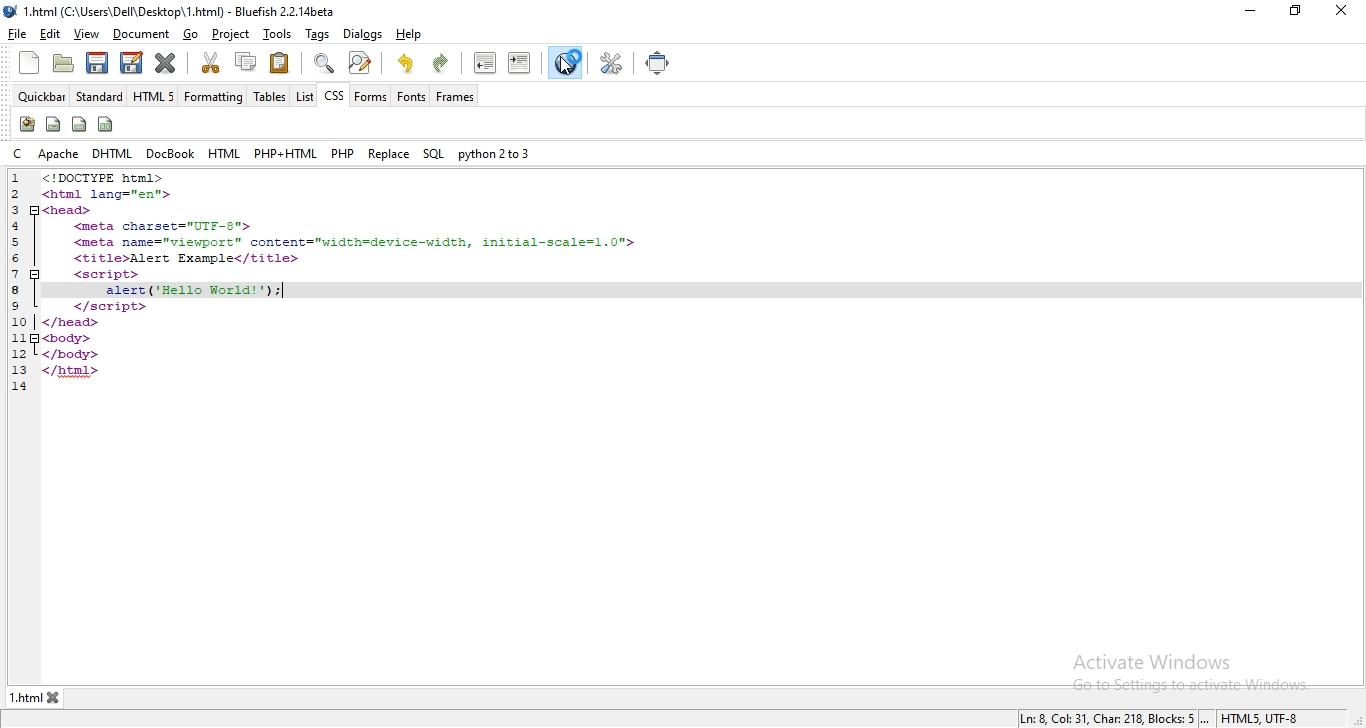  What do you see at coordinates (1261, 719) in the screenshot?
I see `HTMLS, UTF-8` at bounding box center [1261, 719].